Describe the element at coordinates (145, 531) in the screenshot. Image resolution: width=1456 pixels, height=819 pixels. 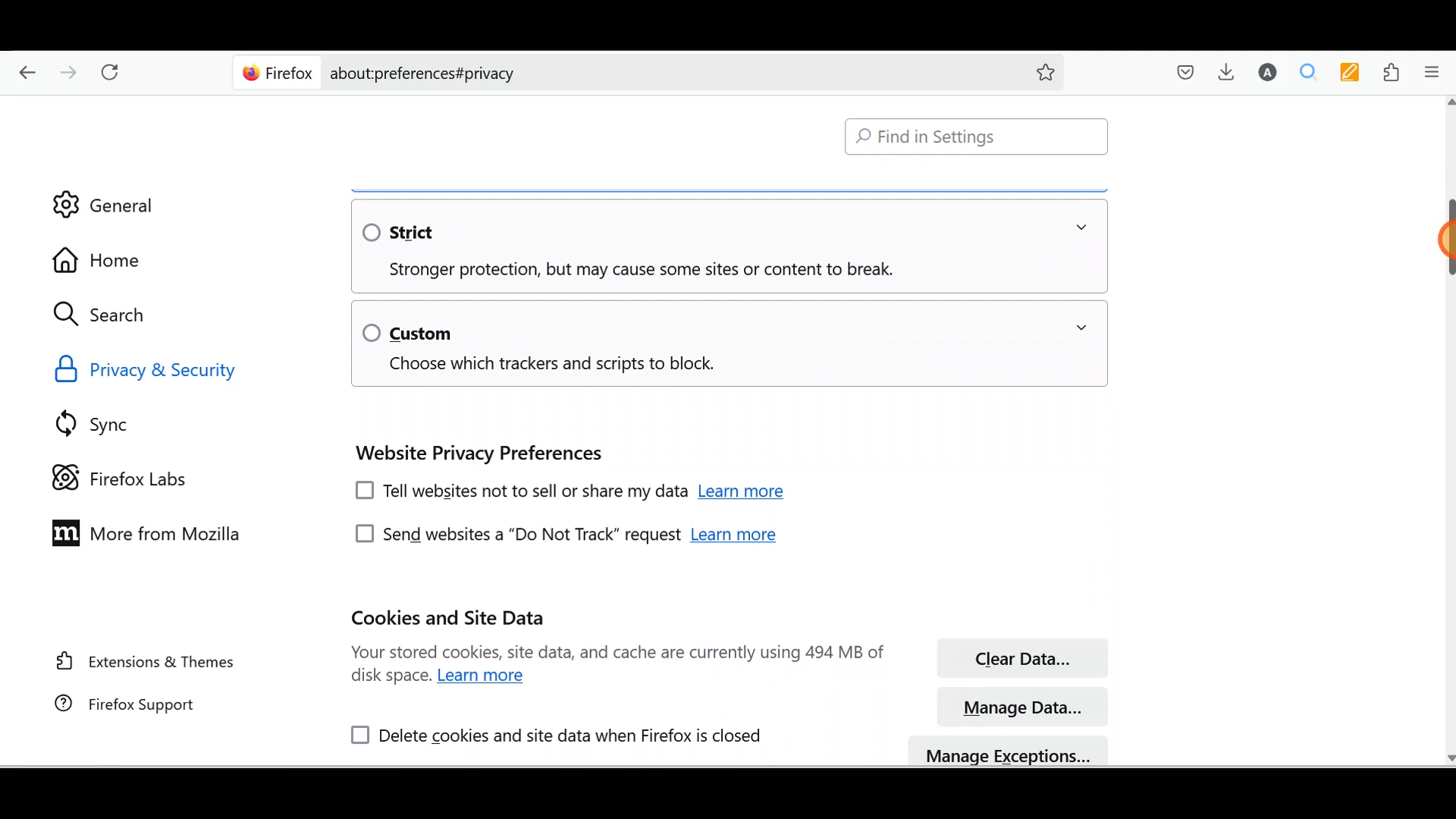
I see `More from Mozilla` at that location.